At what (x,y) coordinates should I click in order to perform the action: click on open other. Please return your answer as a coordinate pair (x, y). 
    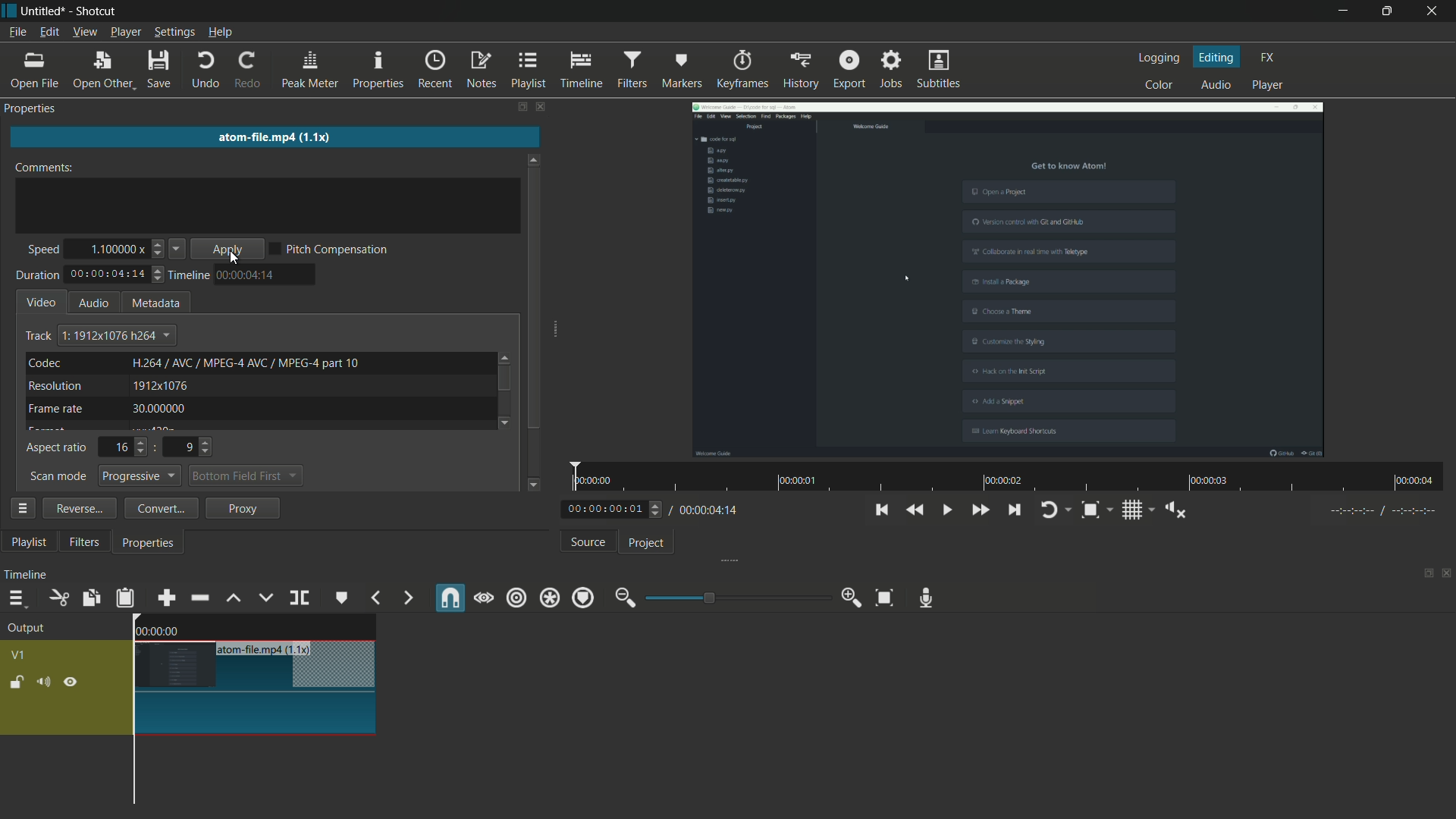
    Looking at the image, I should click on (101, 71).